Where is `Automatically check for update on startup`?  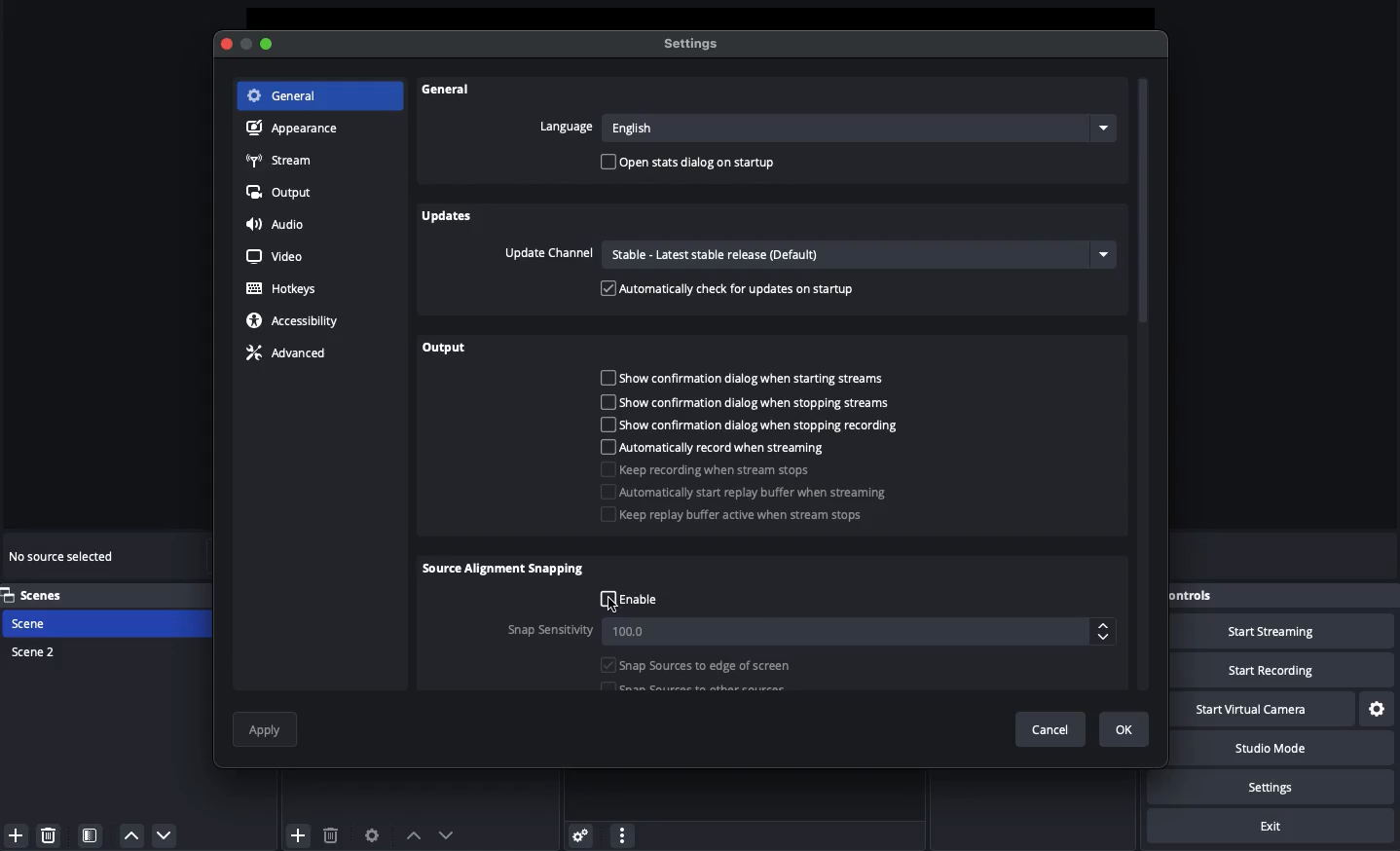
Automatically check for update on startup is located at coordinates (730, 288).